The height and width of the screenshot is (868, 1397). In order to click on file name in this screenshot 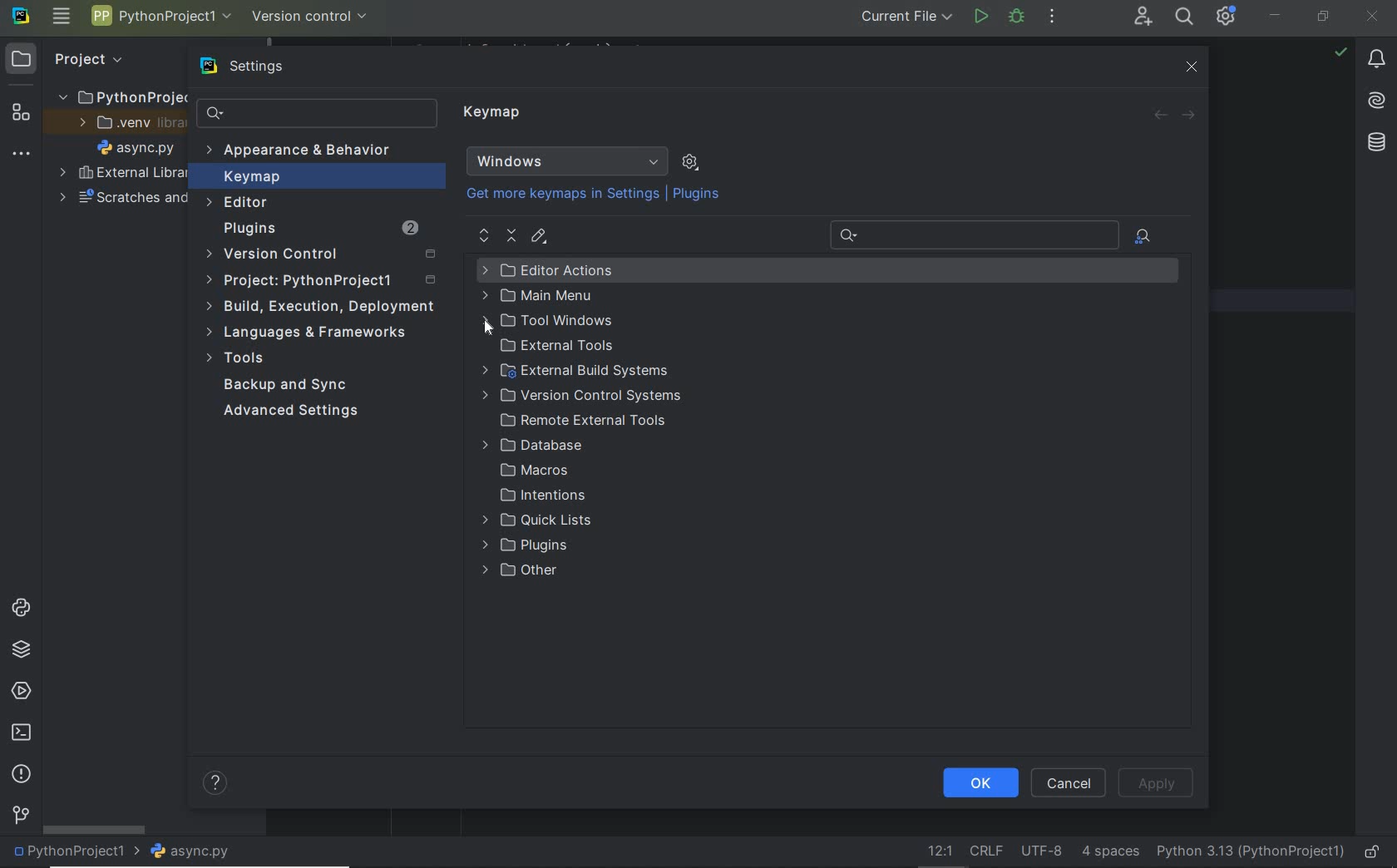, I will do `click(136, 147)`.